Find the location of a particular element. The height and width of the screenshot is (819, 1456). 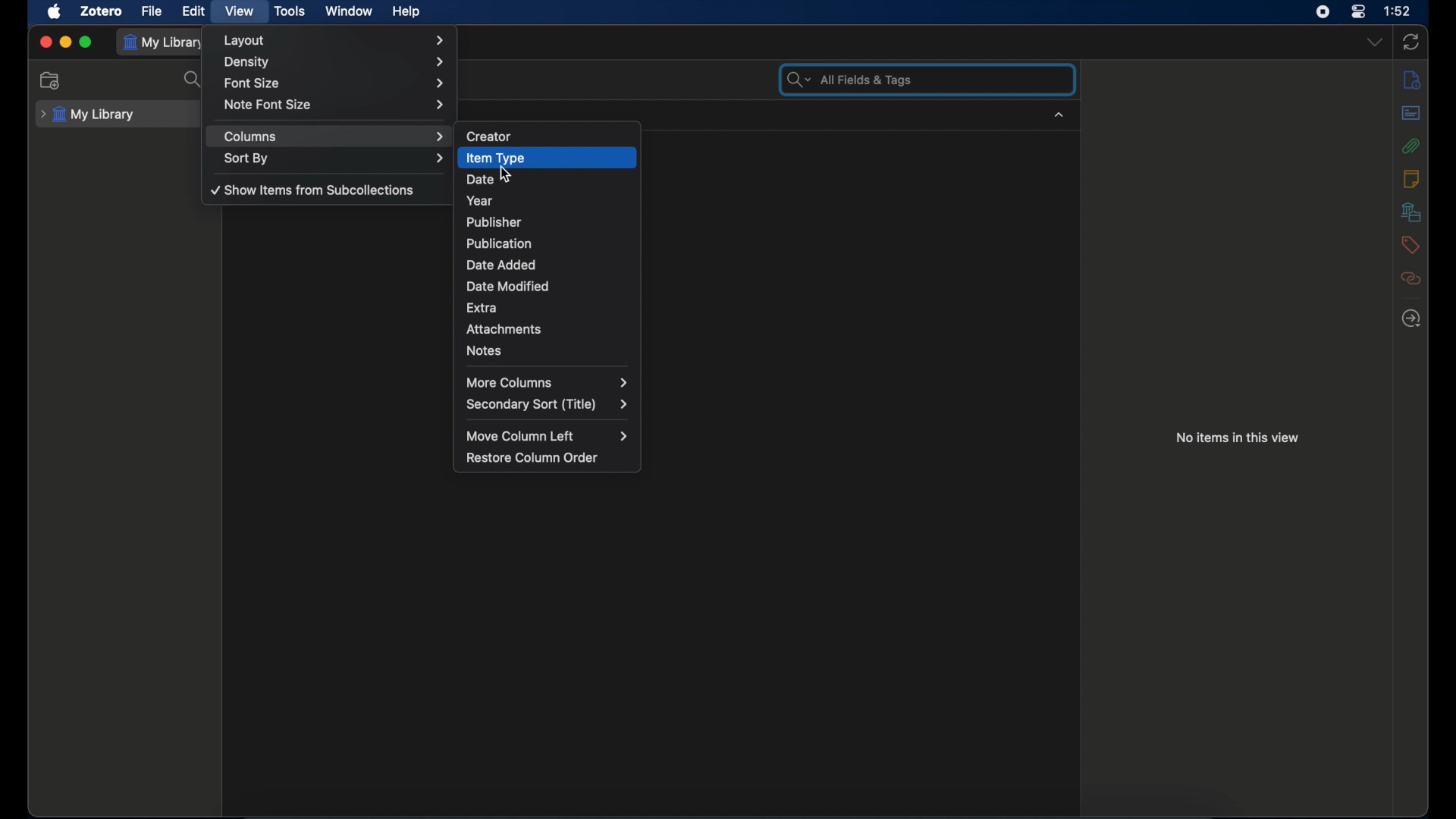

date is located at coordinates (482, 178).